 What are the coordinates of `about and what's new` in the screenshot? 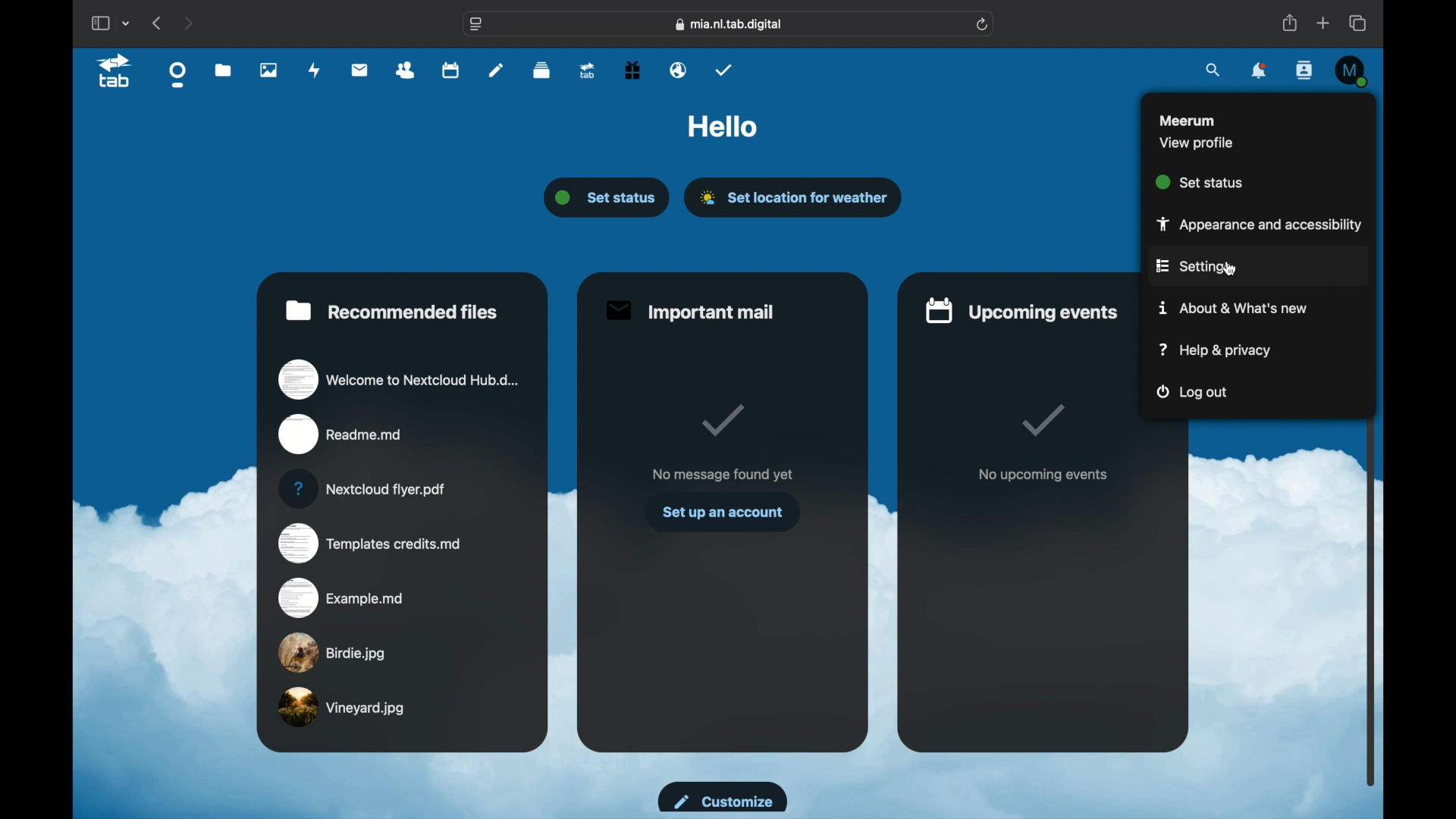 It's located at (1235, 309).